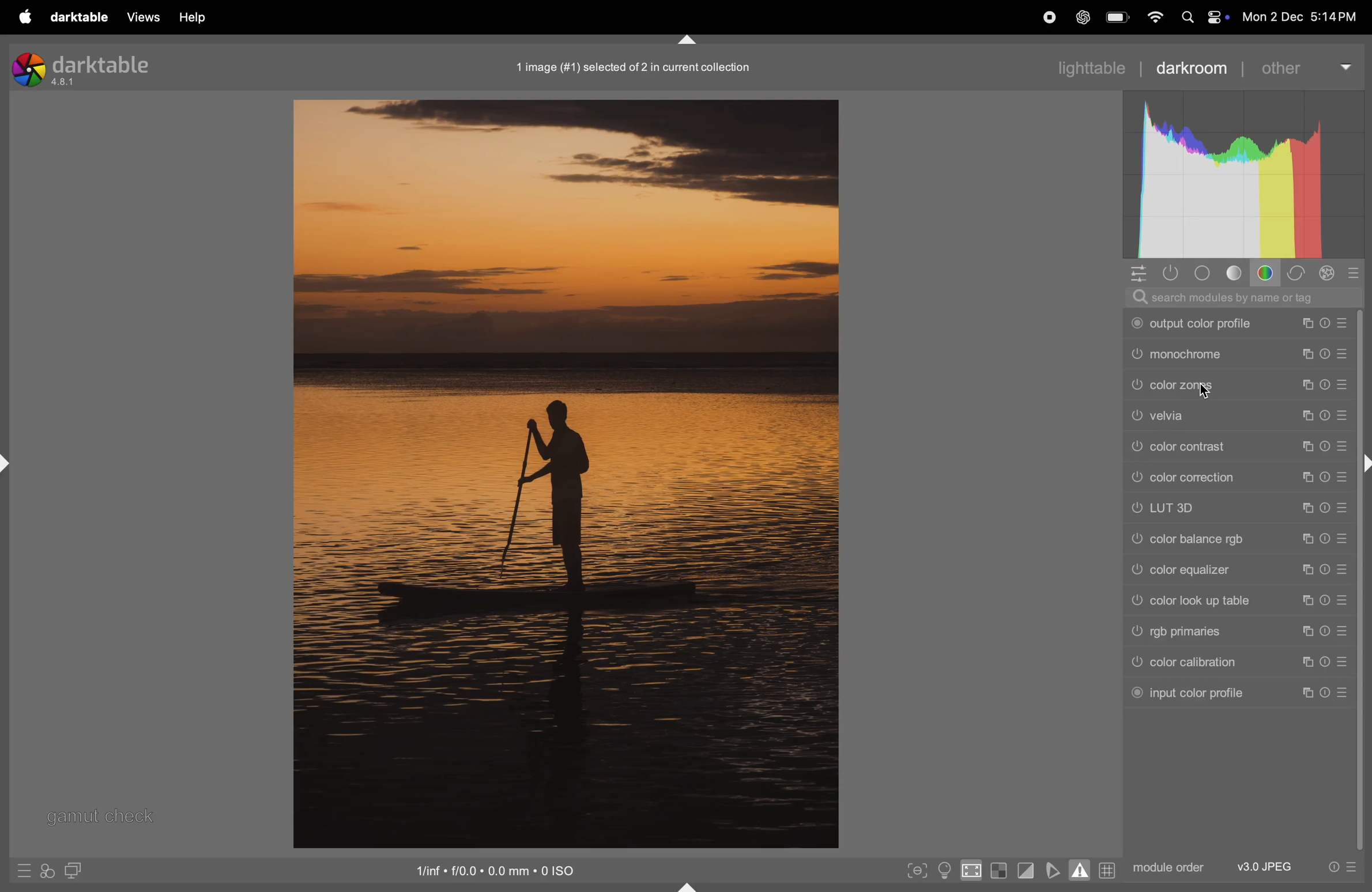 The image size is (1372, 892). Describe the element at coordinates (84, 20) in the screenshot. I see `darktable` at that location.